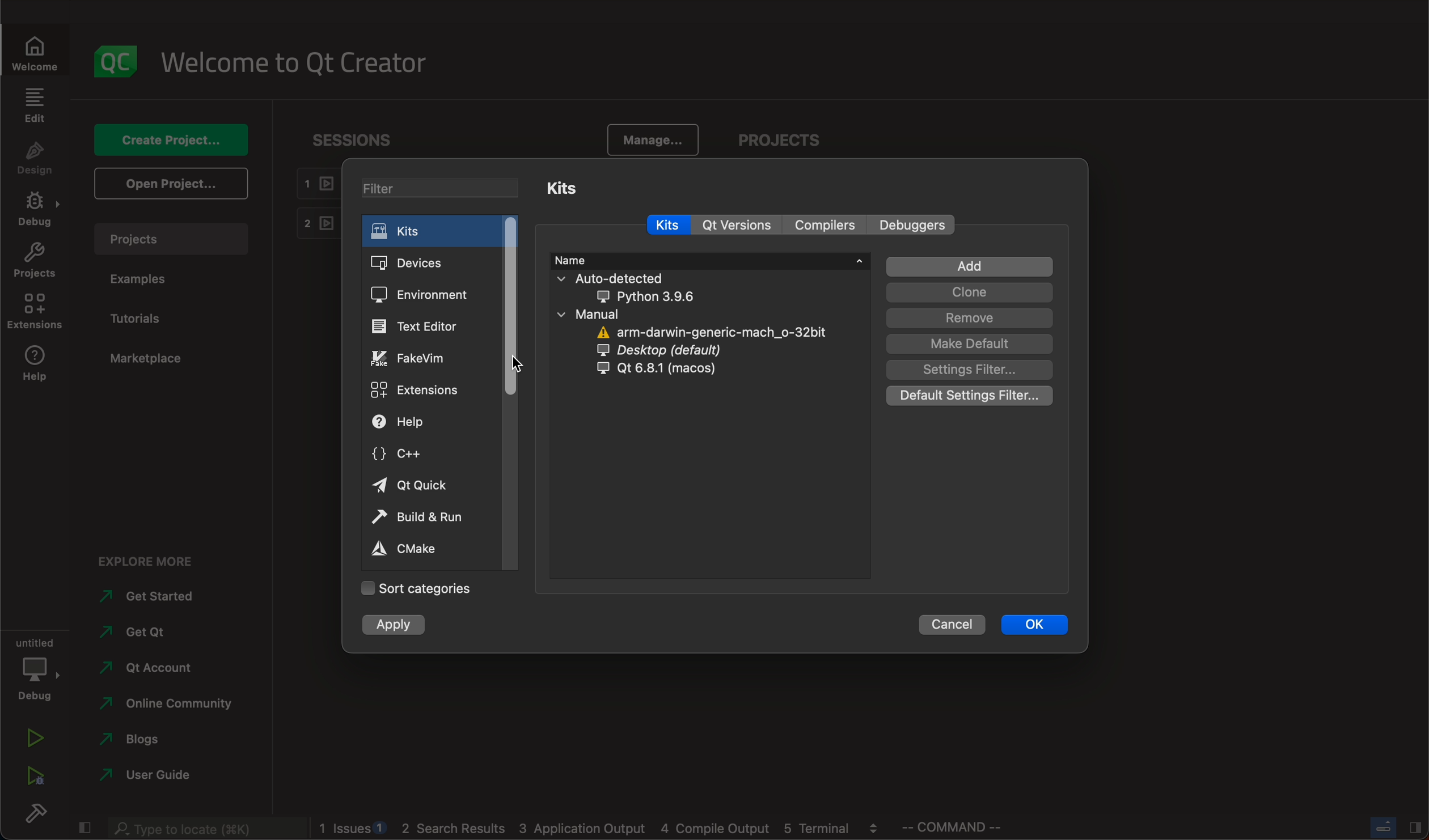 This screenshot has height=840, width=1429. Describe the element at coordinates (37, 668) in the screenshot. I see `debug` at that location.